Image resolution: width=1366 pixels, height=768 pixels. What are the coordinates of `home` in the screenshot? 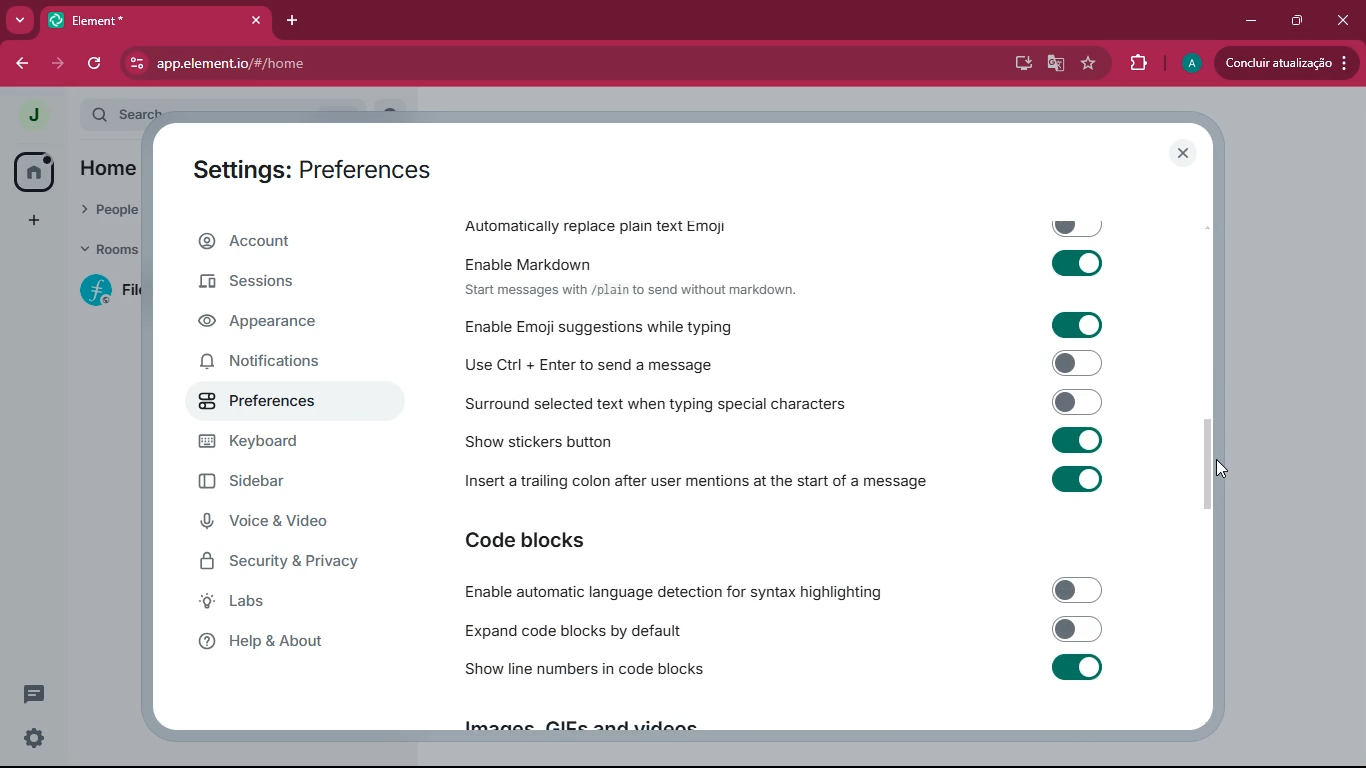 It's located at (114, 170).